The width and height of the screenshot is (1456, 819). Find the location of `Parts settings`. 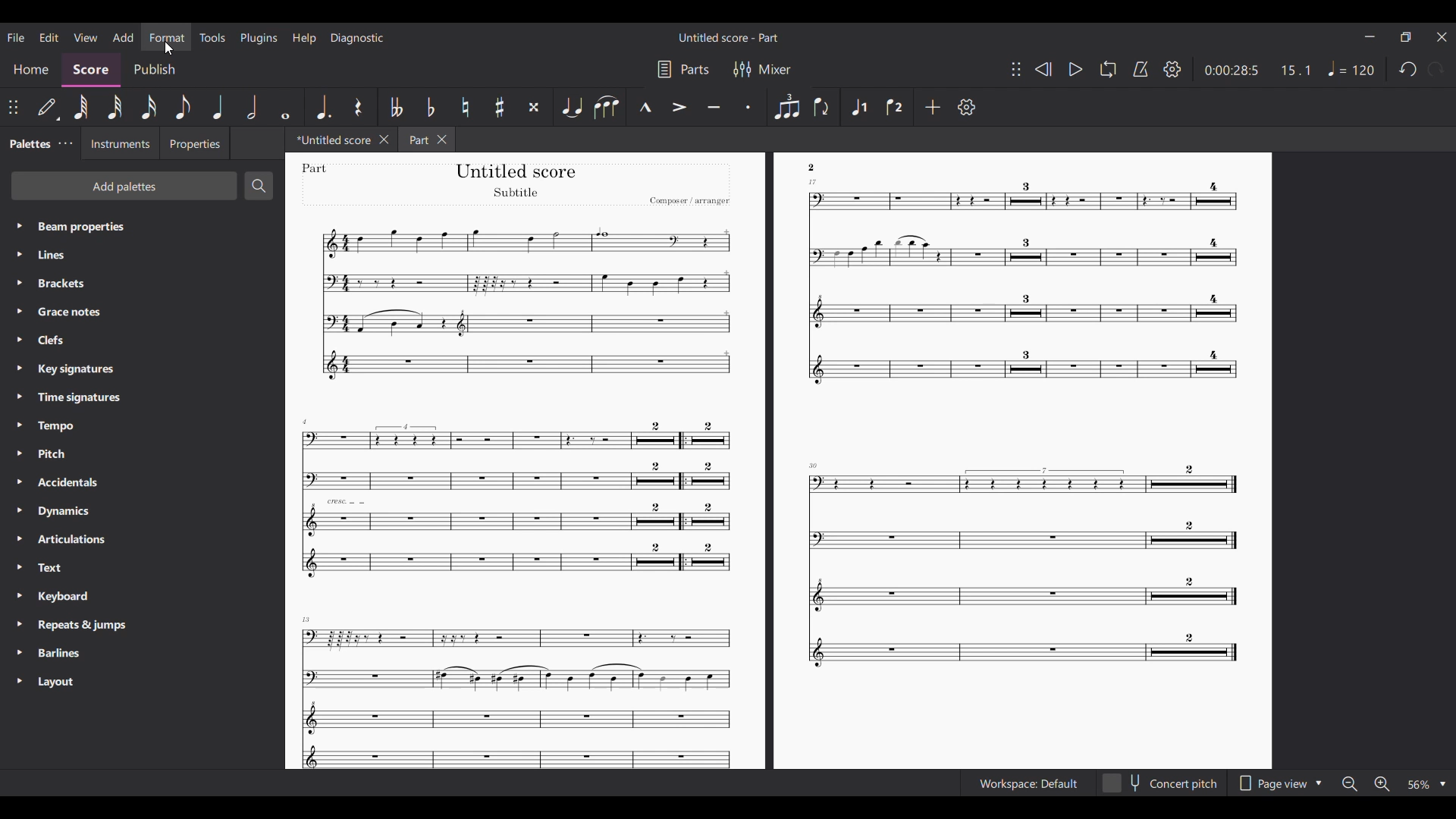

Parts settings is located at coordinates (684, 70).